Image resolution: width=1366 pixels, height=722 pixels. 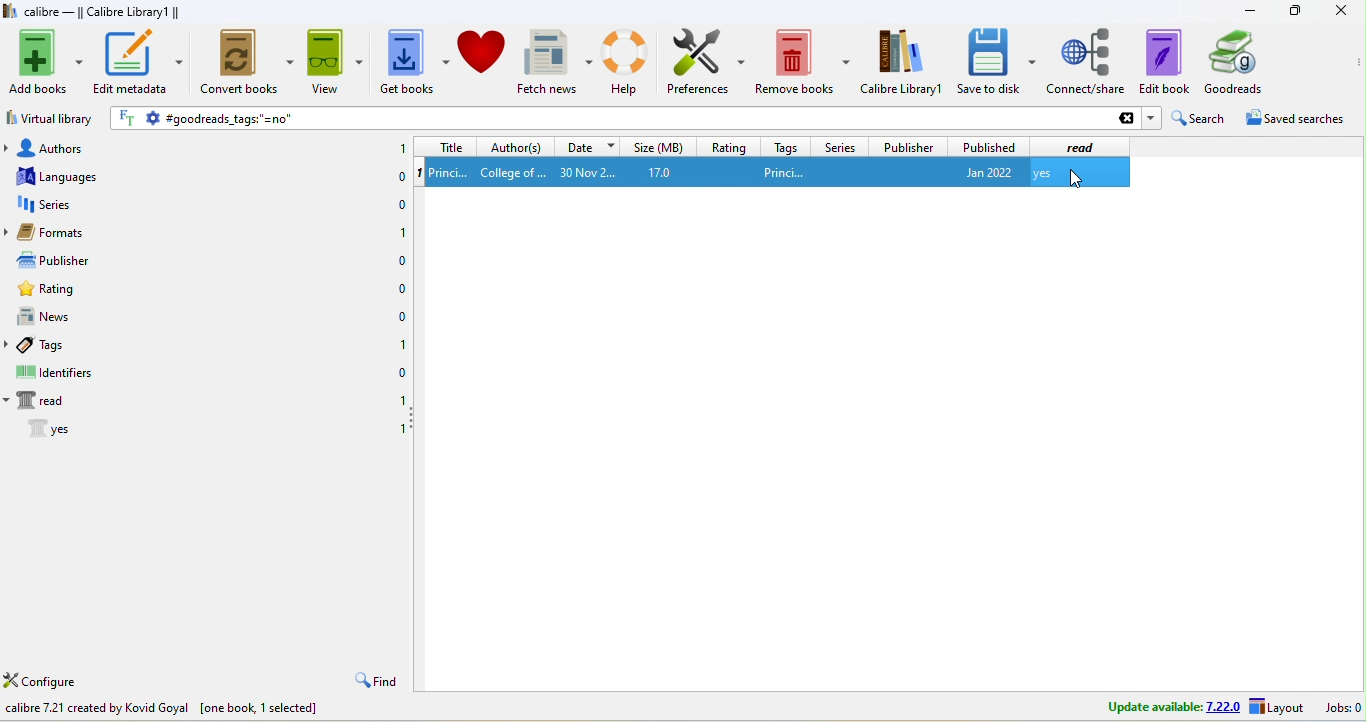 I want to click on dropdown, so click(x=1119, y=172).